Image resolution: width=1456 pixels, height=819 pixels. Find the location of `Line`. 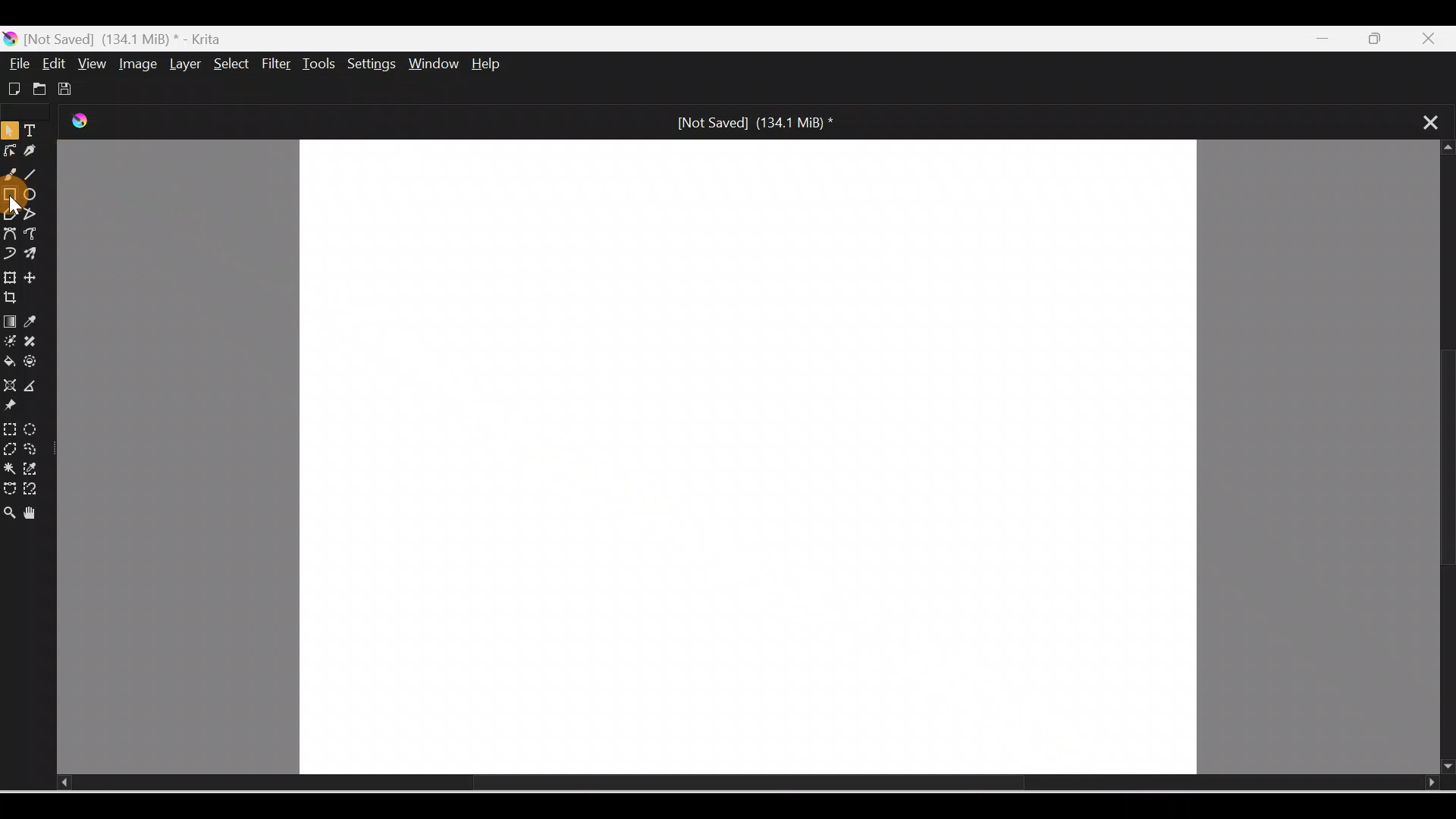

Line is located at coordinates (36, 177).